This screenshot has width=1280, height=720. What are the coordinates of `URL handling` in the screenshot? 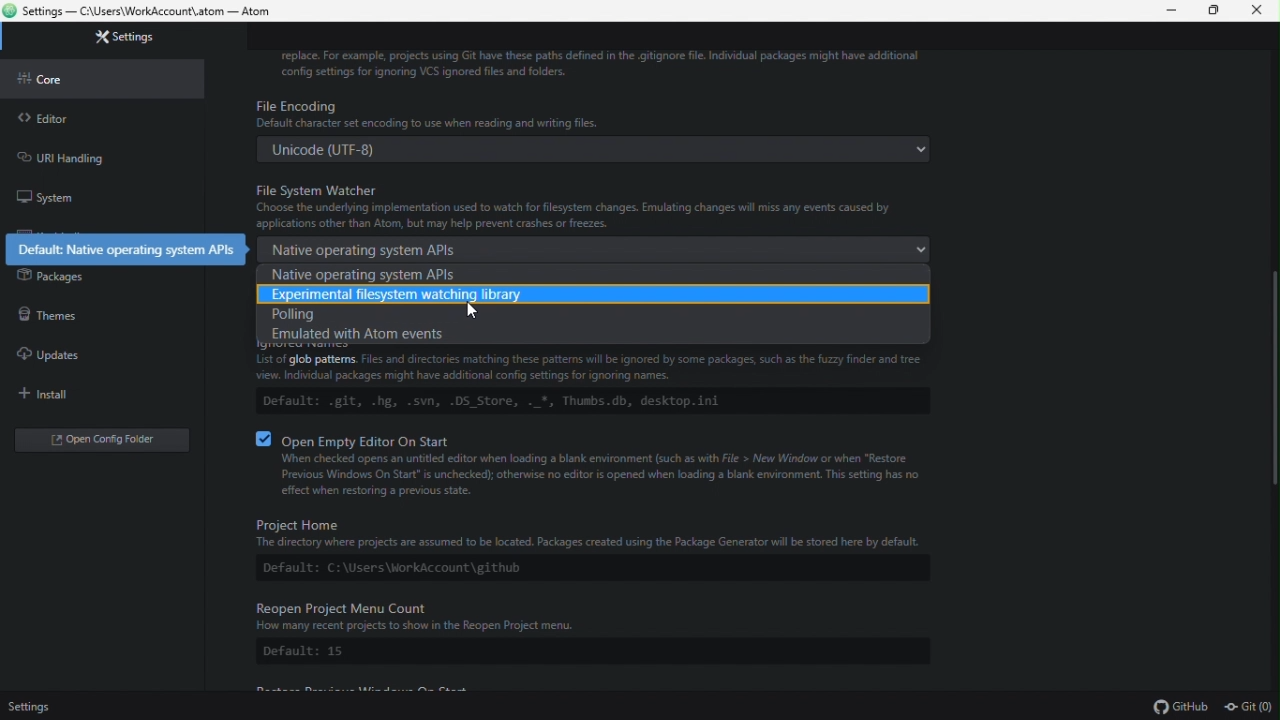 It's located at (91, 155).